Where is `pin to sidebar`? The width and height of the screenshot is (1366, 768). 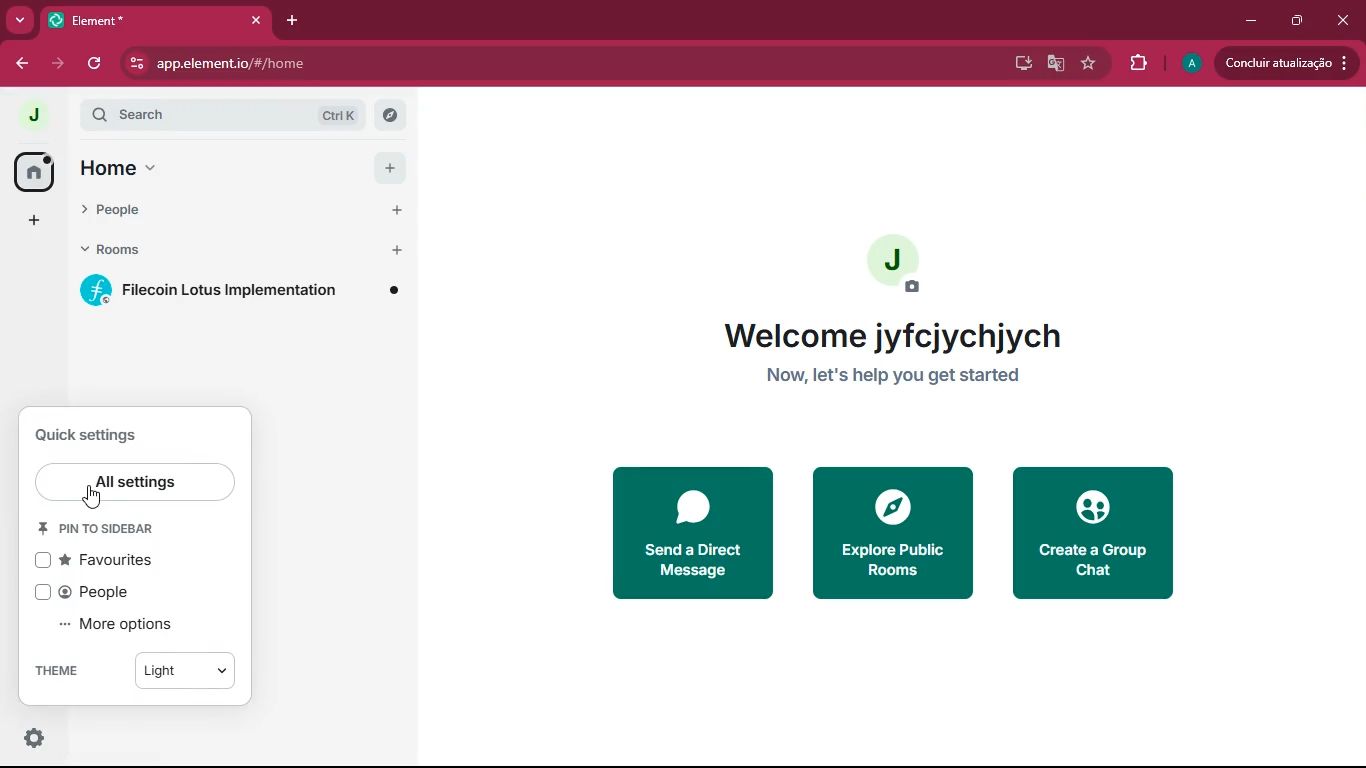 pin to sidebar is located at coordinates (117, 528).